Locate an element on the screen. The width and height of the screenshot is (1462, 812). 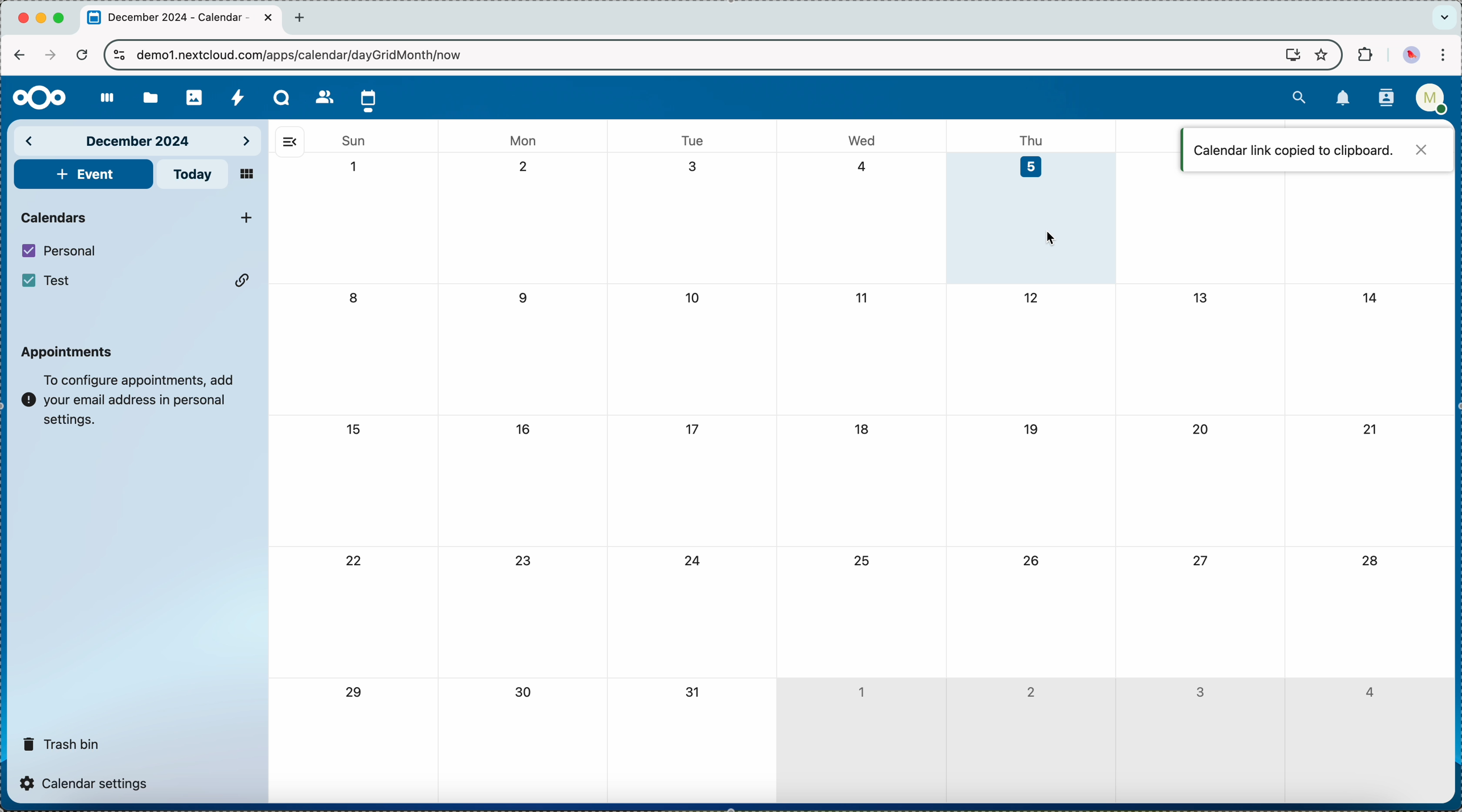
2 is located at coordinates (1031, 691).